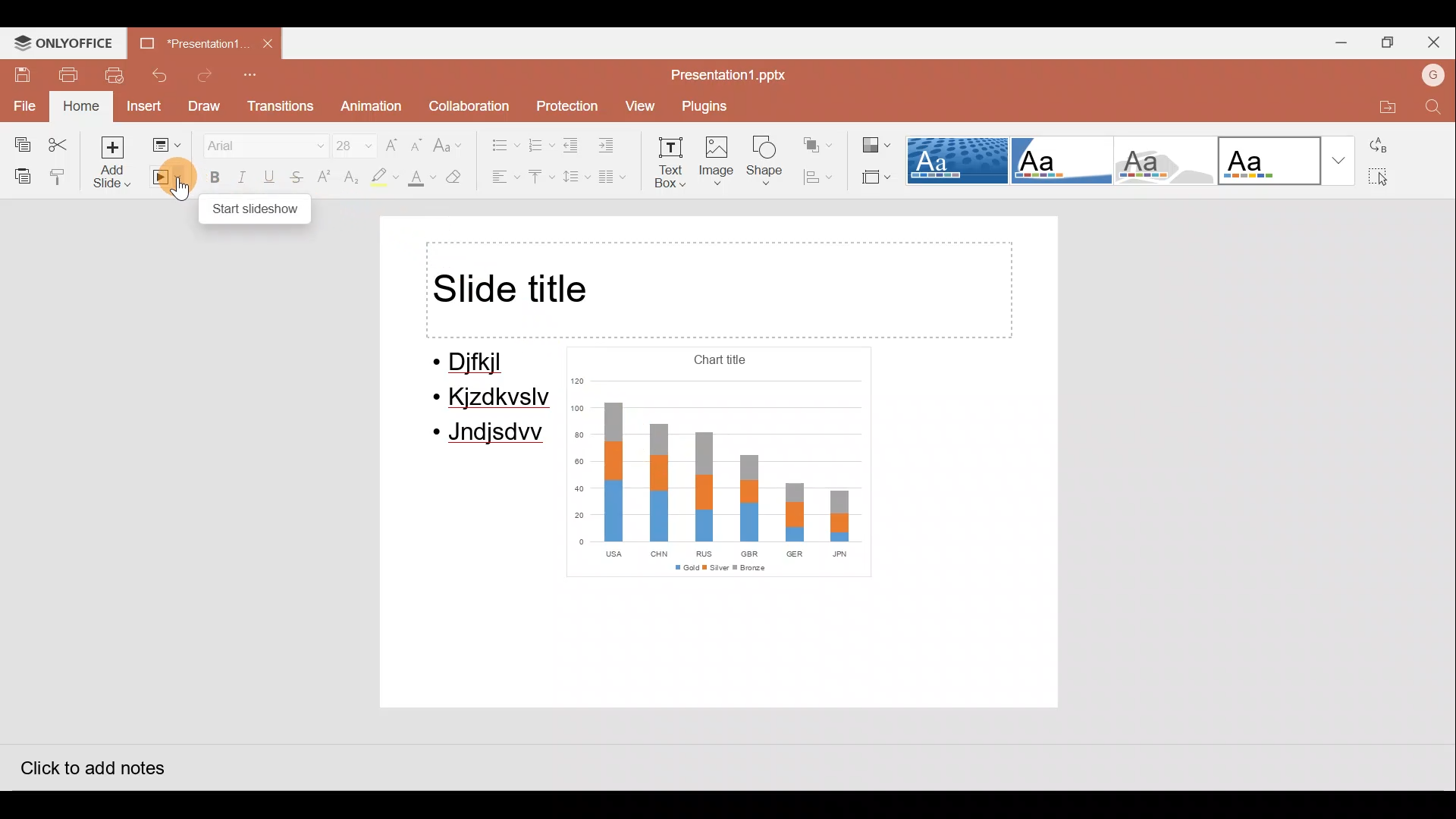  Describe the element at coordinates (716, 463) in the screenshot. I see `Chart` at that location.